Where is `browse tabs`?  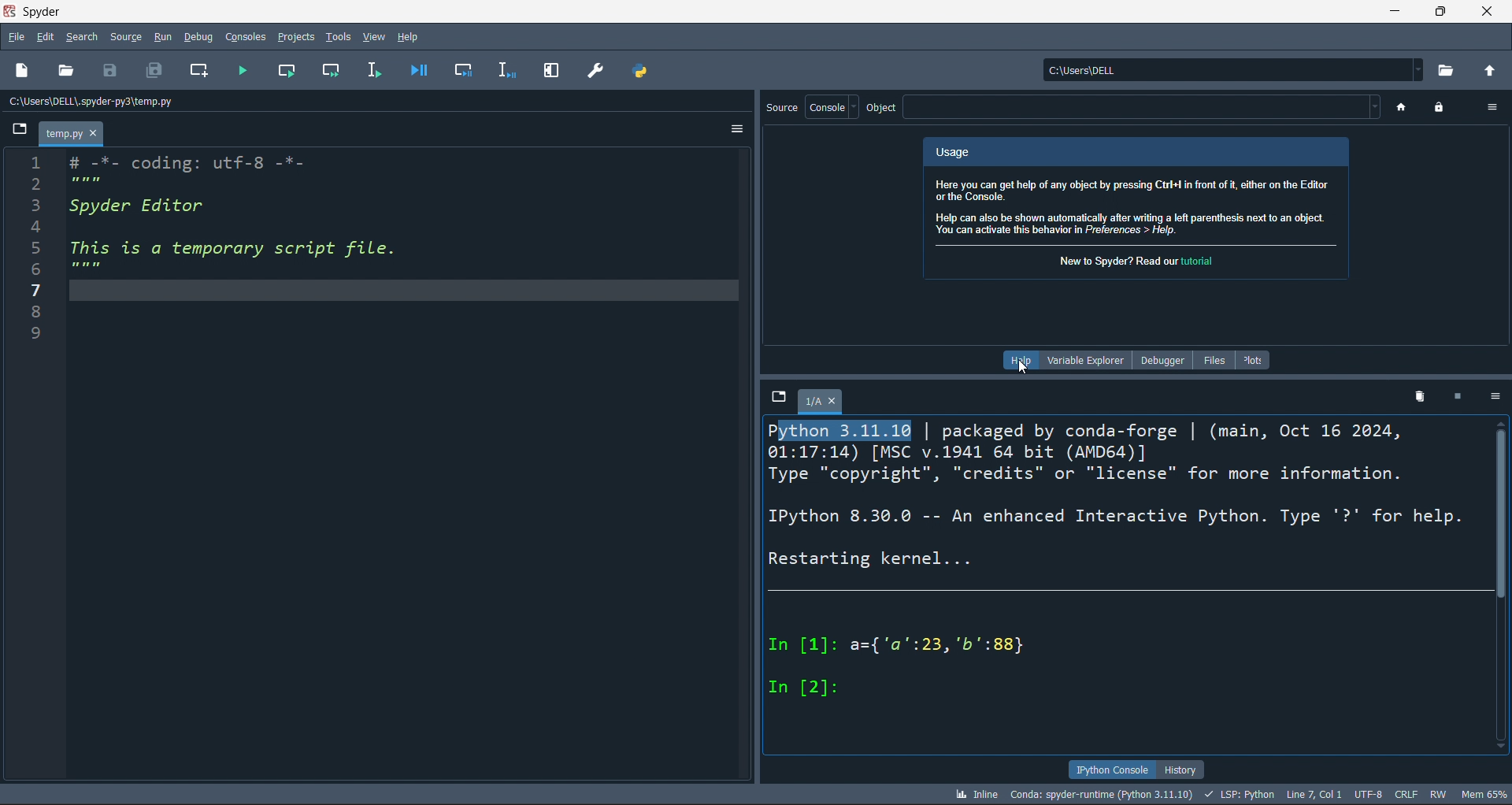
browse tabs is located at coordinates (16, 130).